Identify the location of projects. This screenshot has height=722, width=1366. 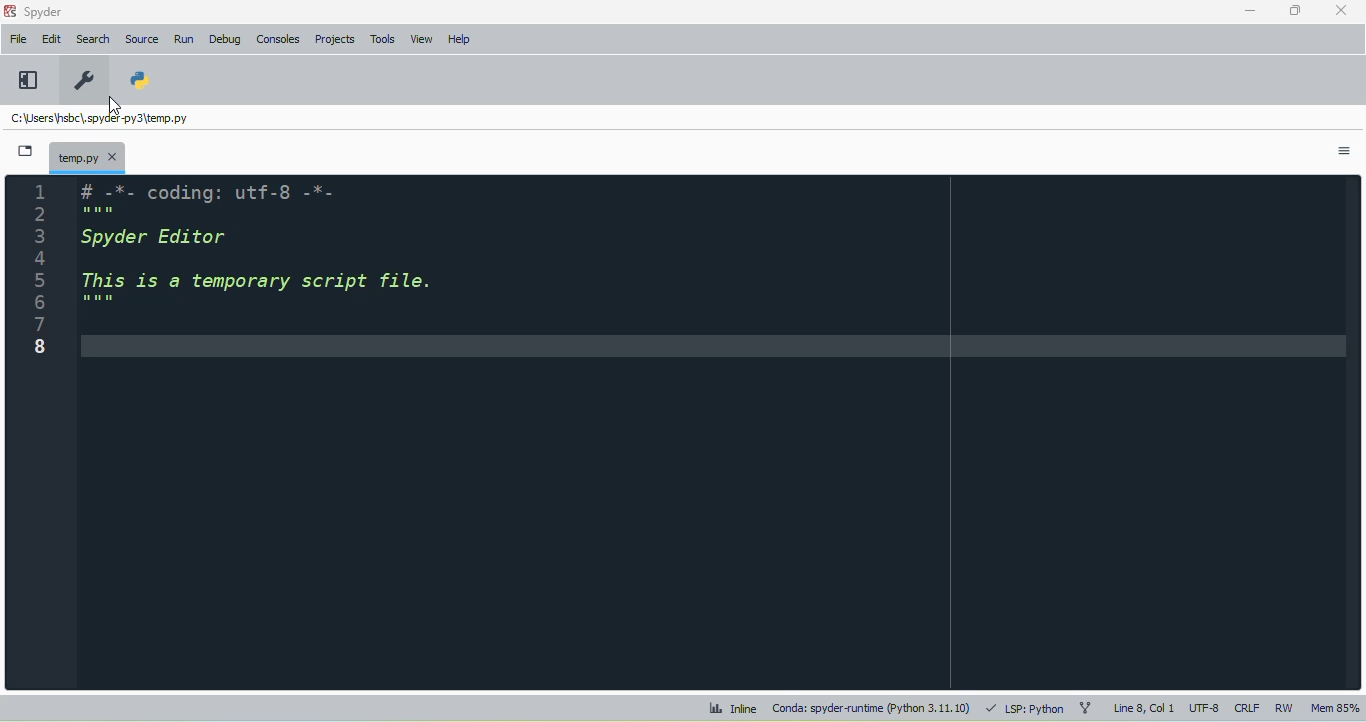
(336, 39).